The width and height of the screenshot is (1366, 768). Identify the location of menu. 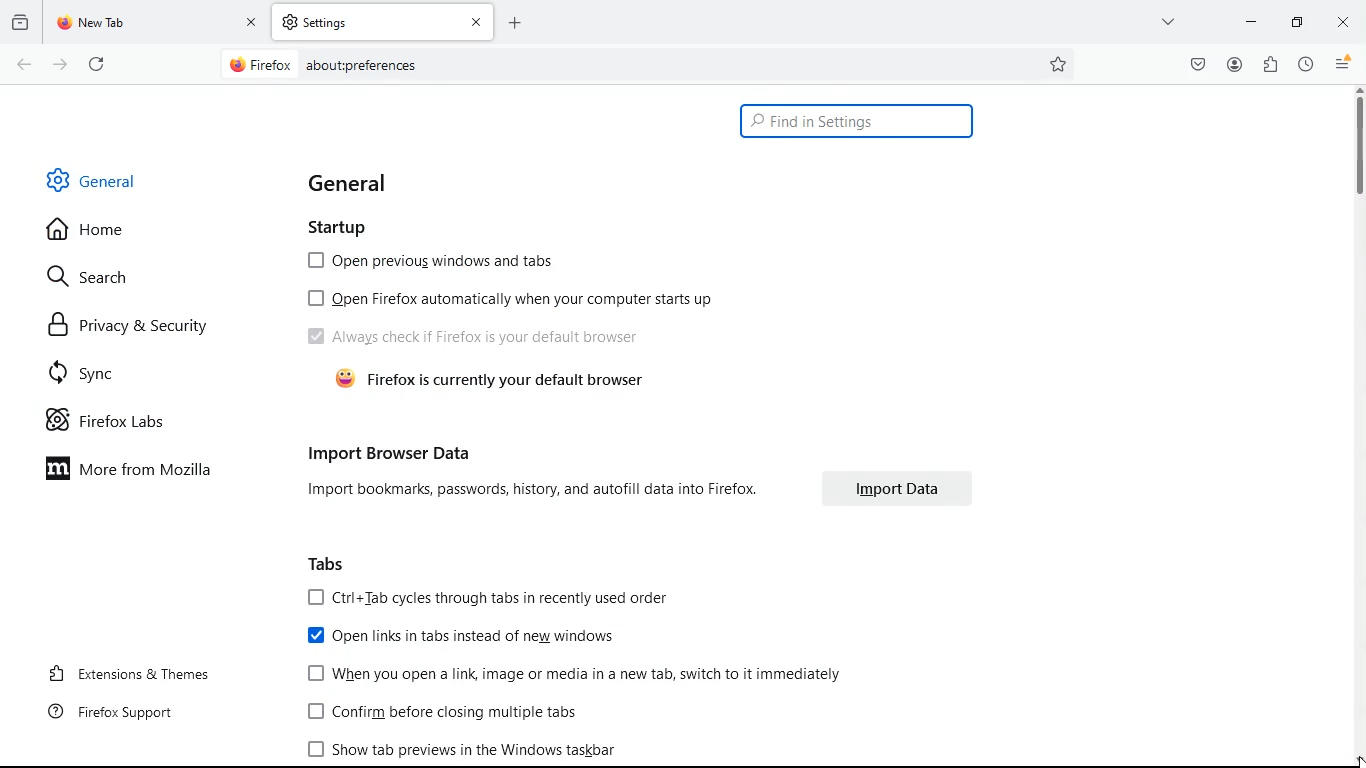
(1344, 64).